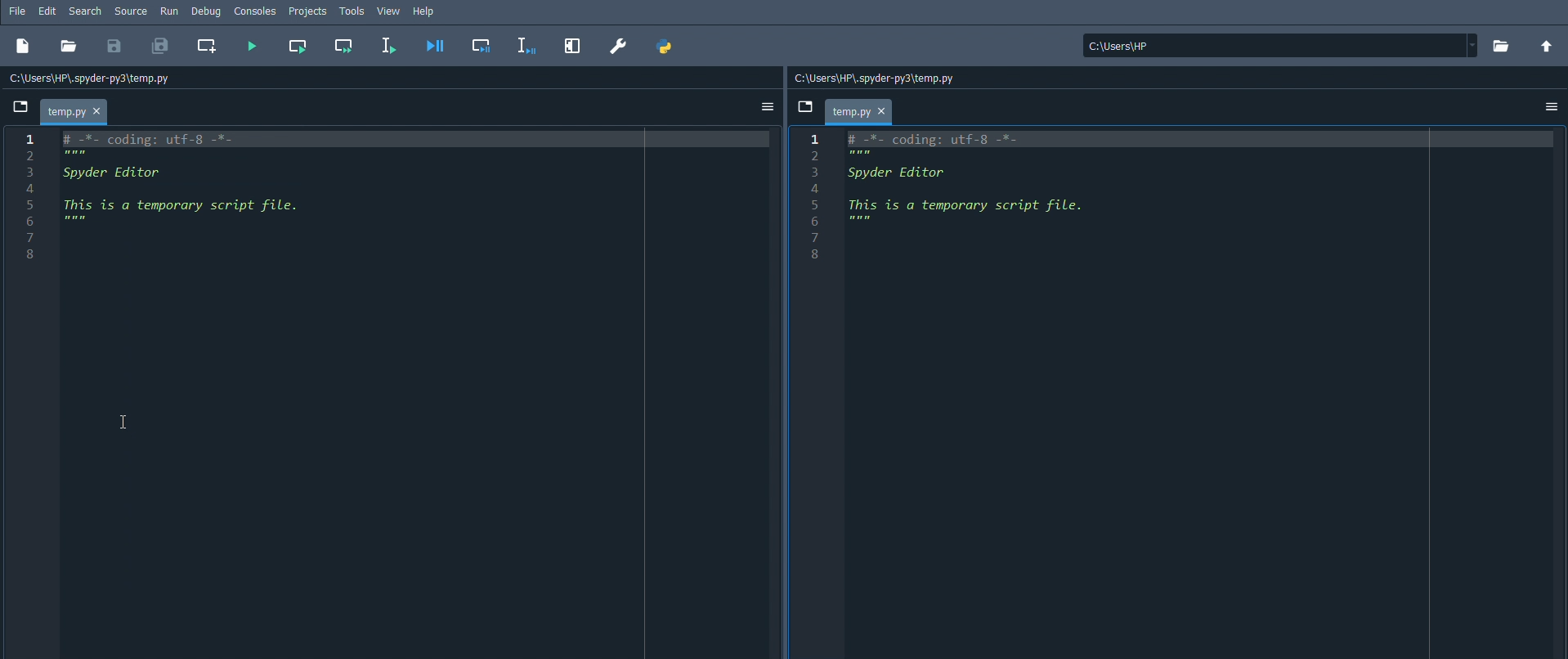 The width and height of the screenshot is (1568, 659). I want to click on Run file, so click(253, 45).